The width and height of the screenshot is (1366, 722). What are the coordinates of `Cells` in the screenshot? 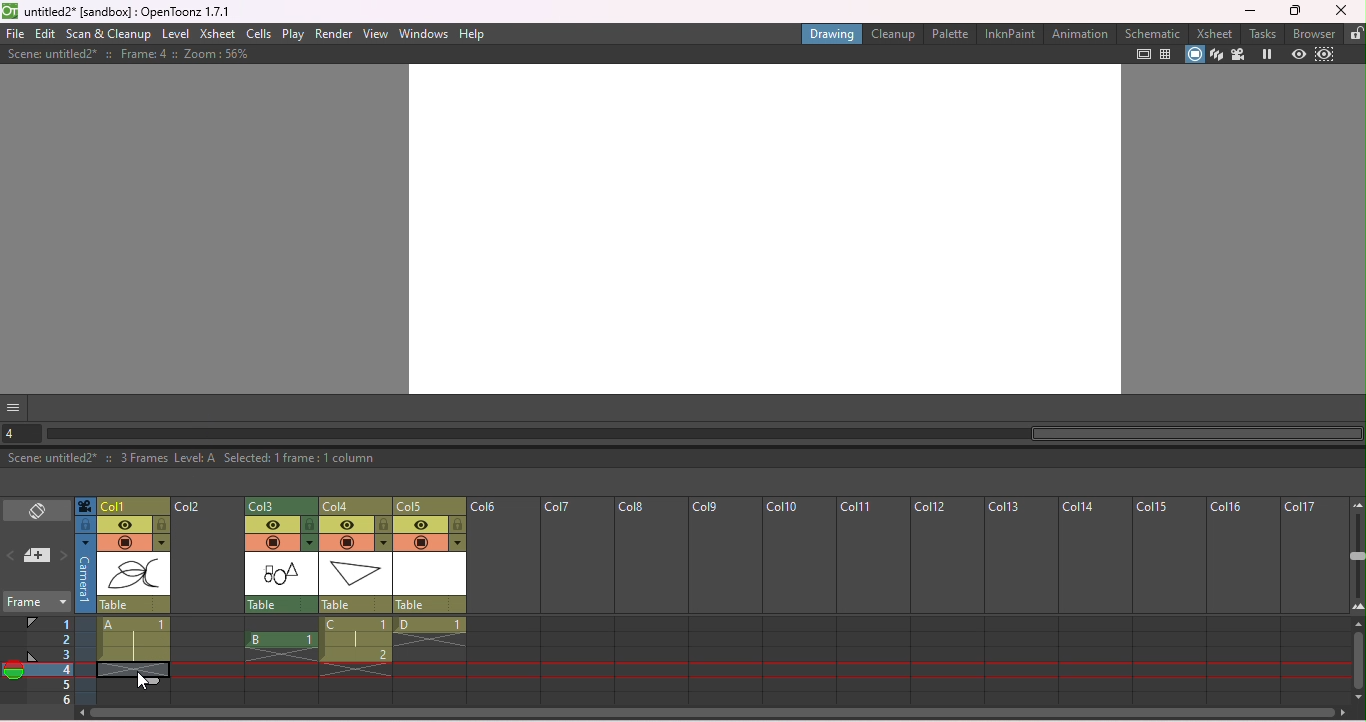 It's located at (258, 33).